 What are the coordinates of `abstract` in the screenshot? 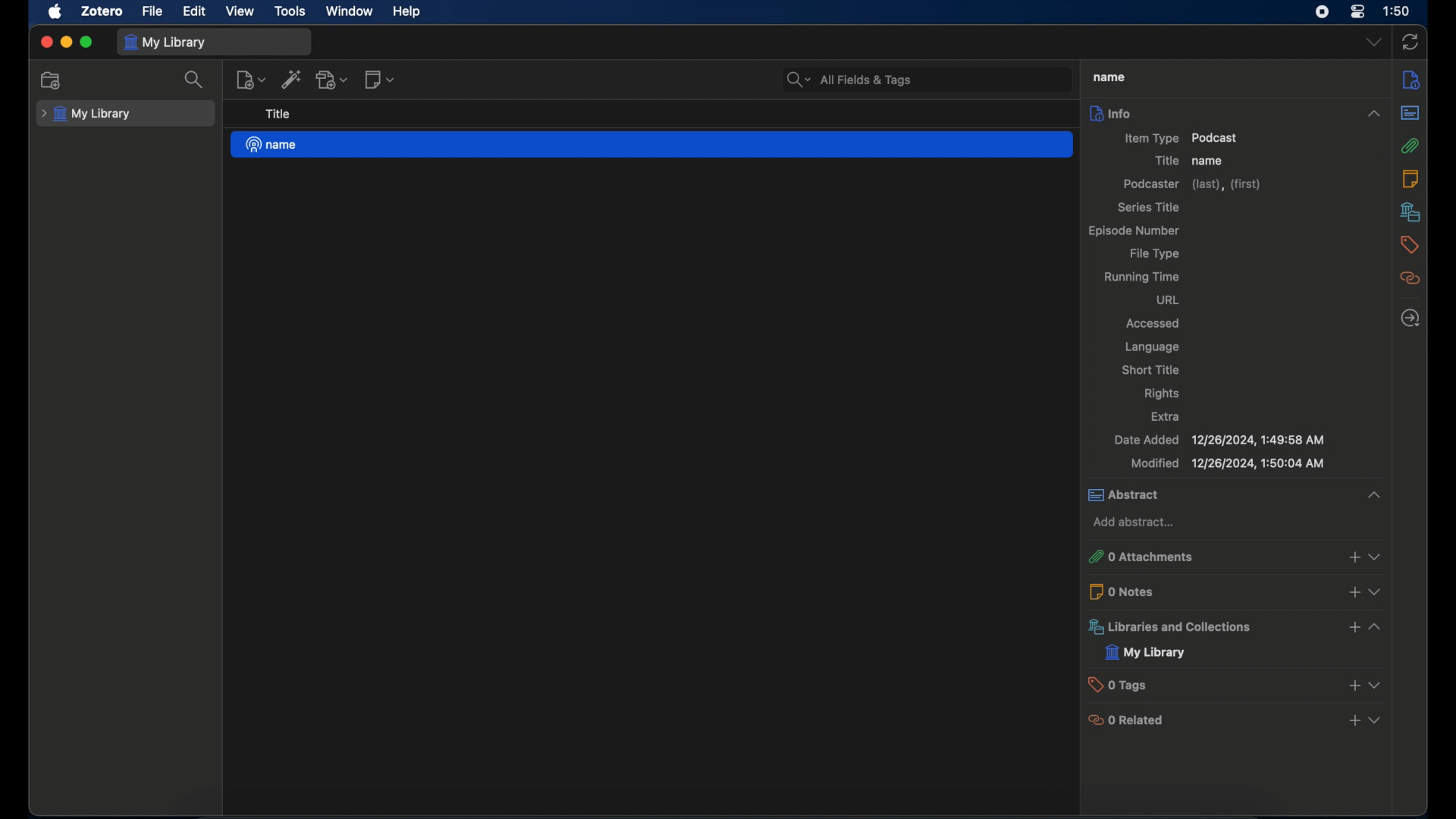 It's located at (1235, 496).